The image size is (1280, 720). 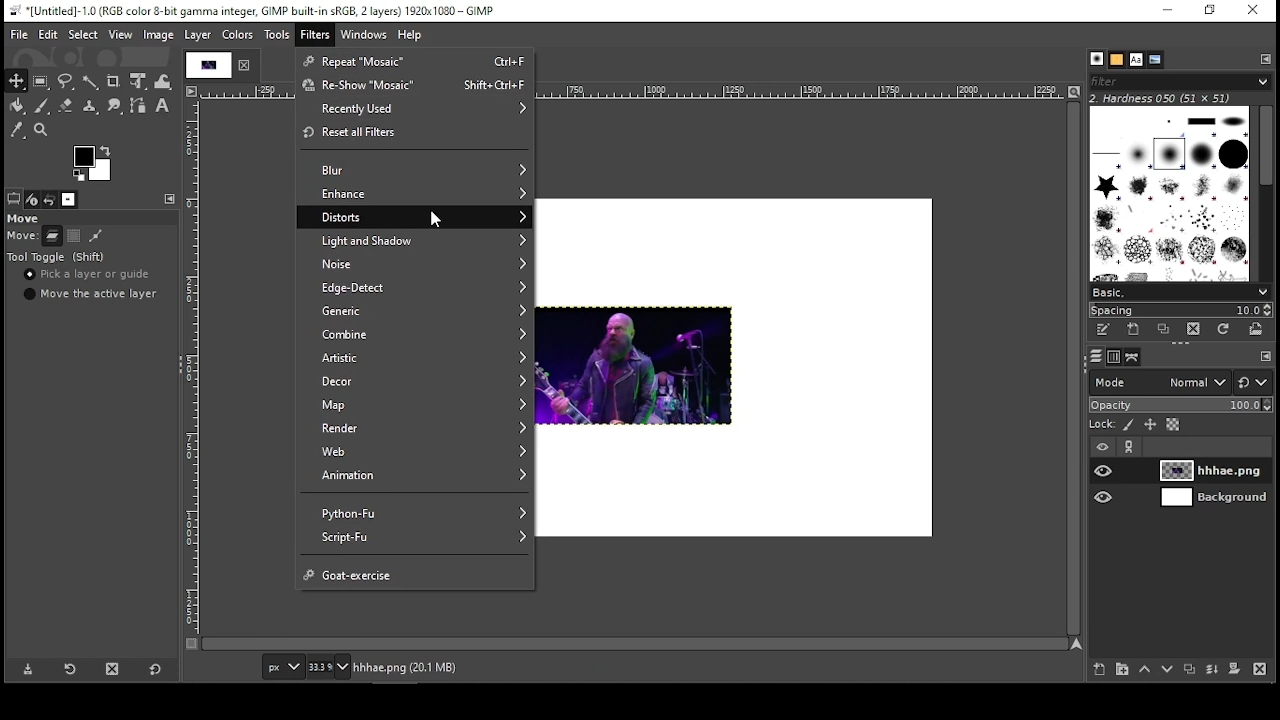 What do you see at coordinates (413, 476) in the screenshot?
I see `animation` at bounding box center [413, 476].